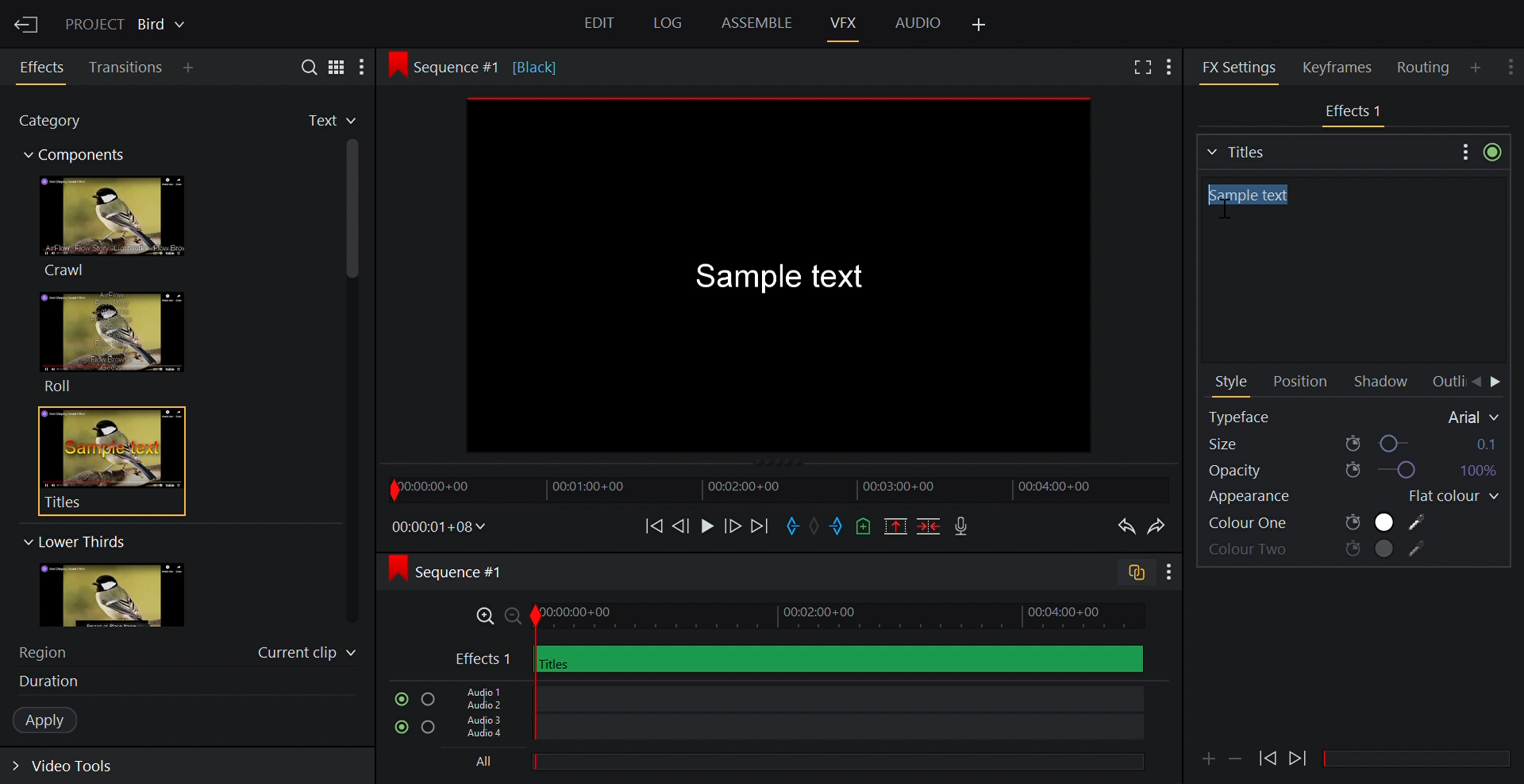 The width and height of the screenshot is (1524, 784). Describe the element at coordinates (110, 226) in the screenshot. I see `Crawl` at that location.